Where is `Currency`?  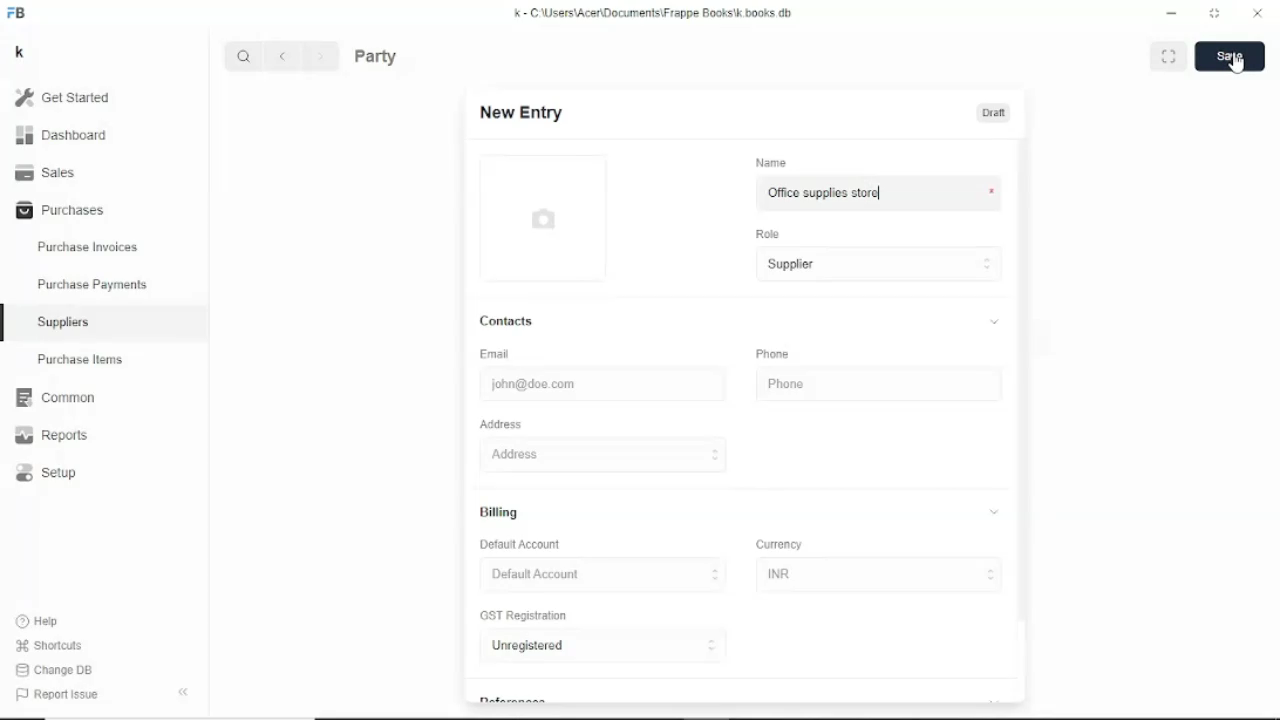 Currency is located at coordinates (780, 544).